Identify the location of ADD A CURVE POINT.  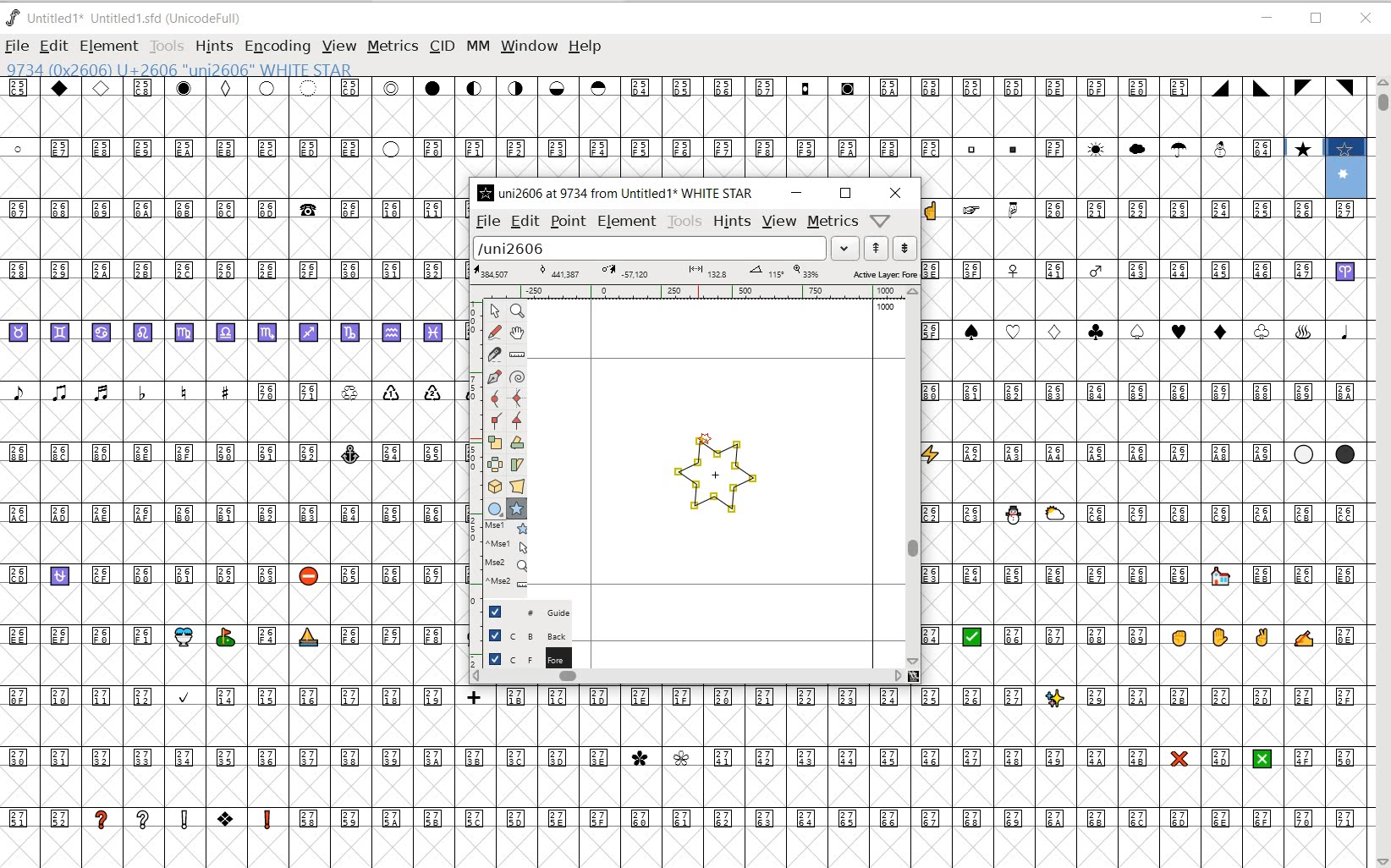
(498, 398).